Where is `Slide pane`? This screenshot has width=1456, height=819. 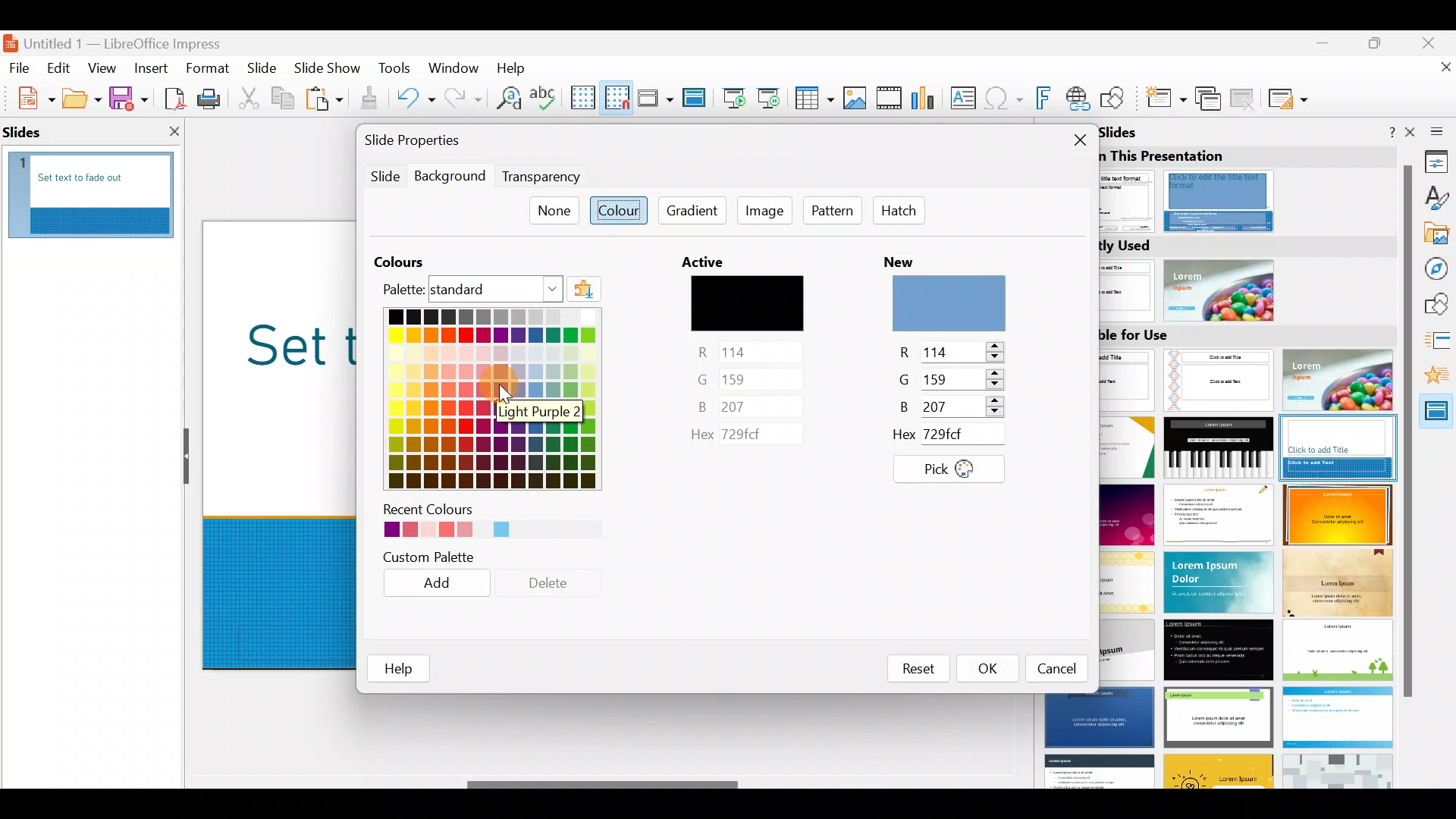
Slide pane is located at coordinates (100, 197).